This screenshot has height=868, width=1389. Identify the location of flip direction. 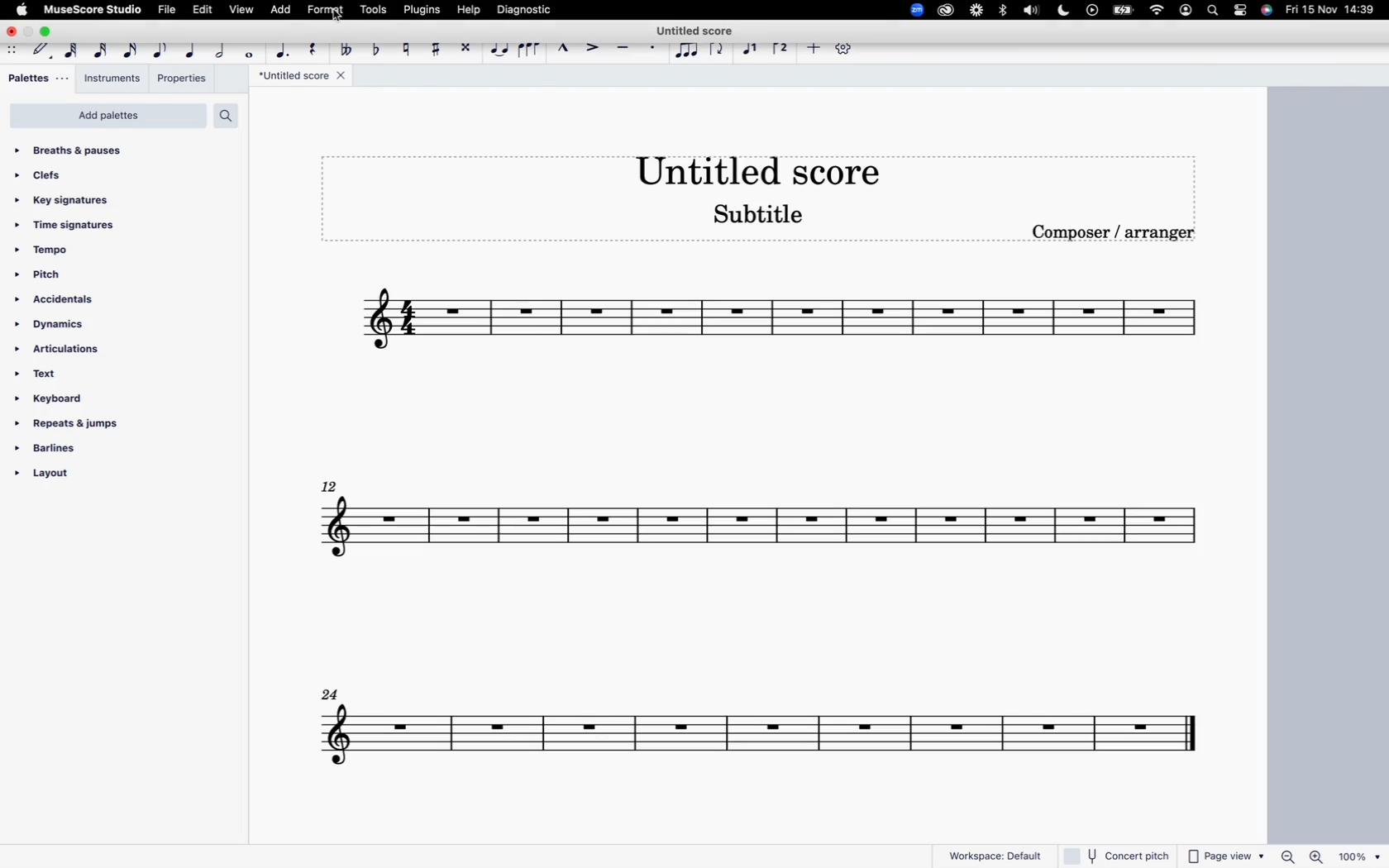
(721, 50).